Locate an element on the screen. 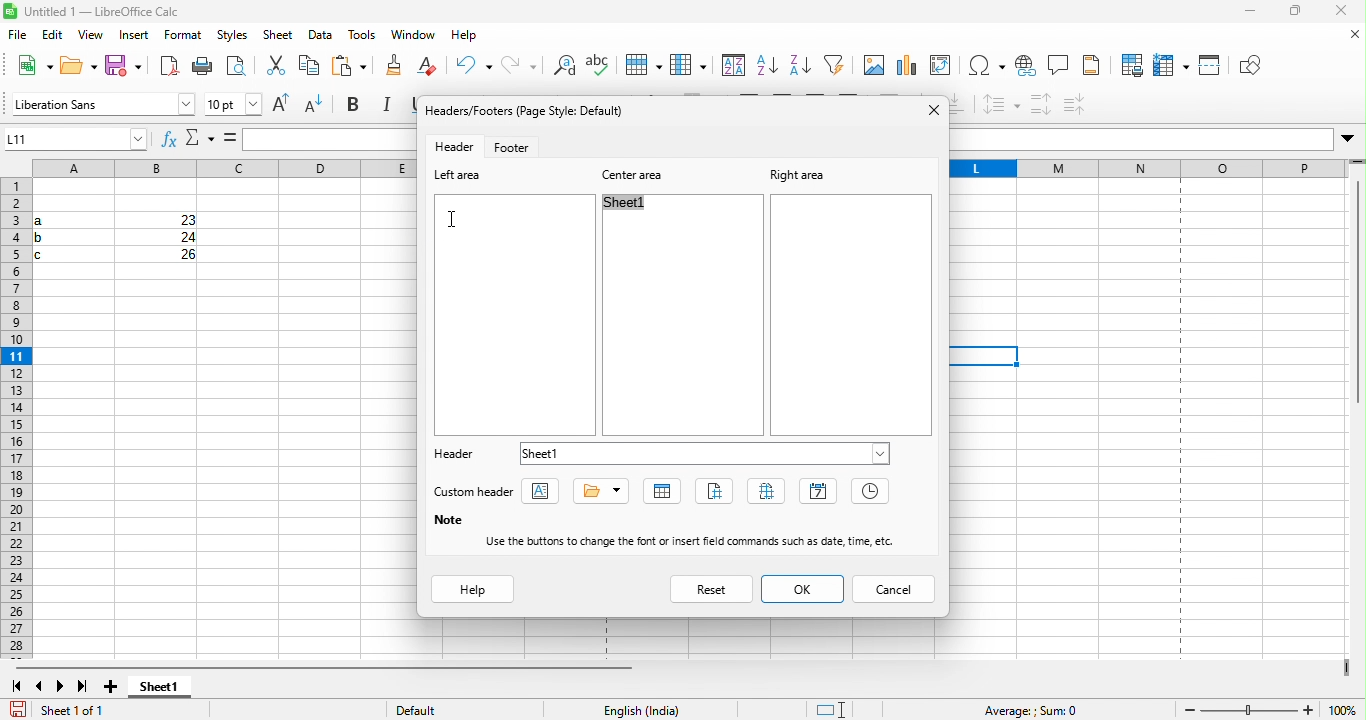 This screenshot has height=720, width=1366. reset is located at coordinates (710, 588).